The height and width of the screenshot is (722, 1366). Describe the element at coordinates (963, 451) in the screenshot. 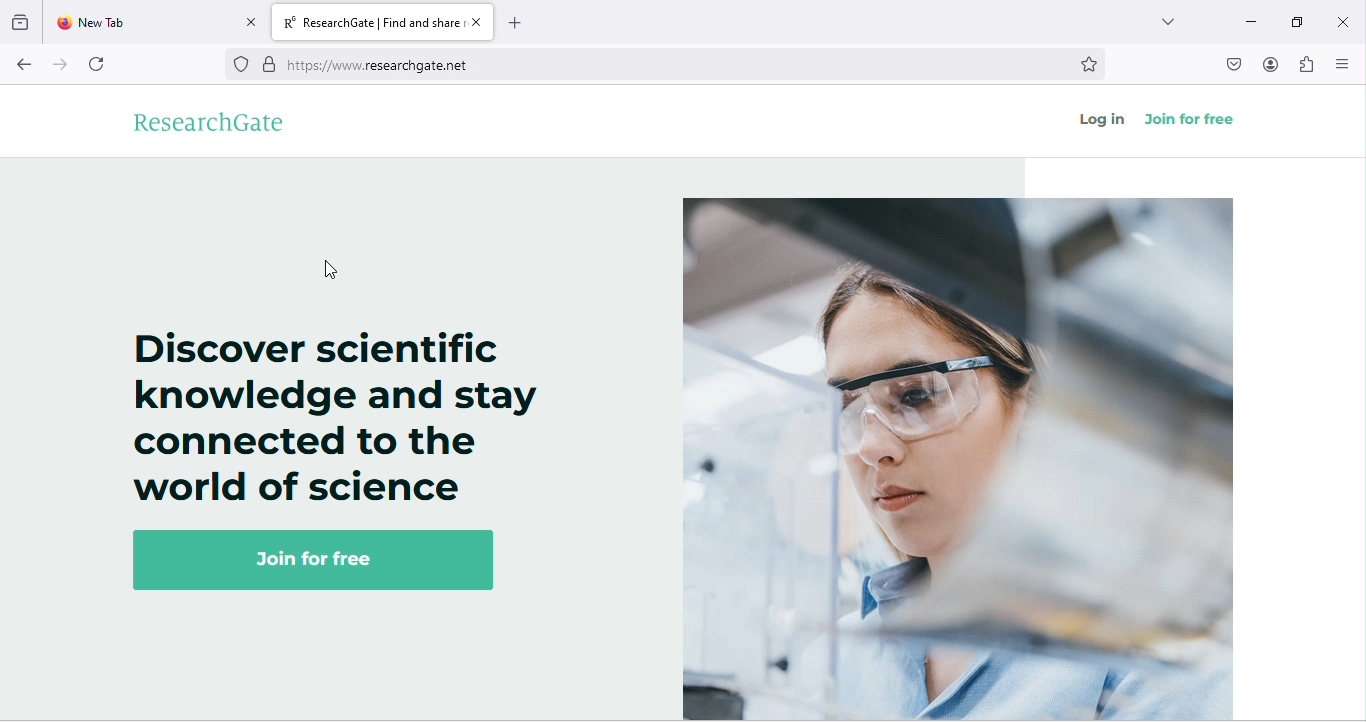

I see `image` at that location.